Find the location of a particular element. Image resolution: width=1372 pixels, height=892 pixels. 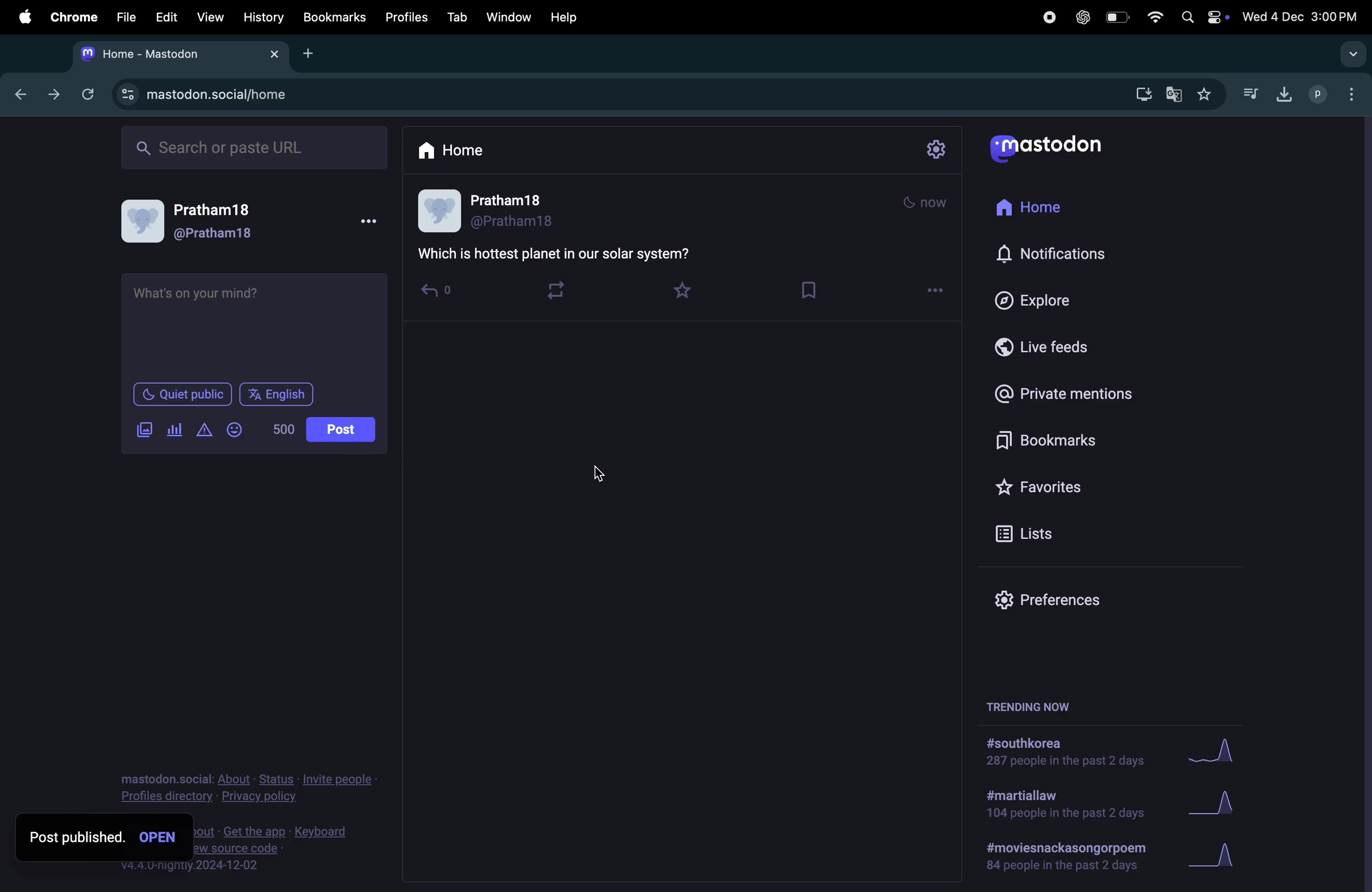

download is located at coordinates (1141, 95).